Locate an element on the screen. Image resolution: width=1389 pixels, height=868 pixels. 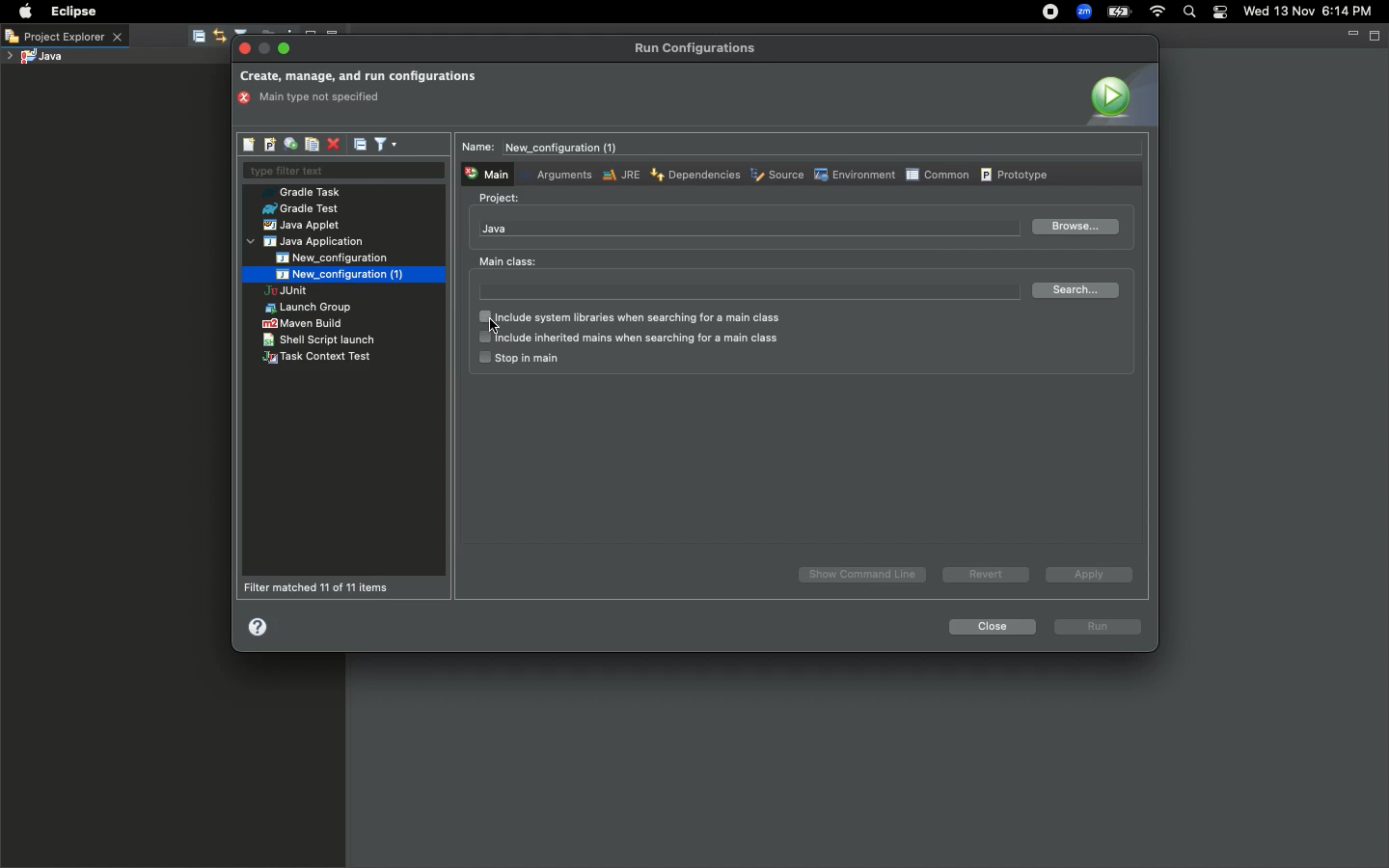
Environment is located at coordinates (853, 175).